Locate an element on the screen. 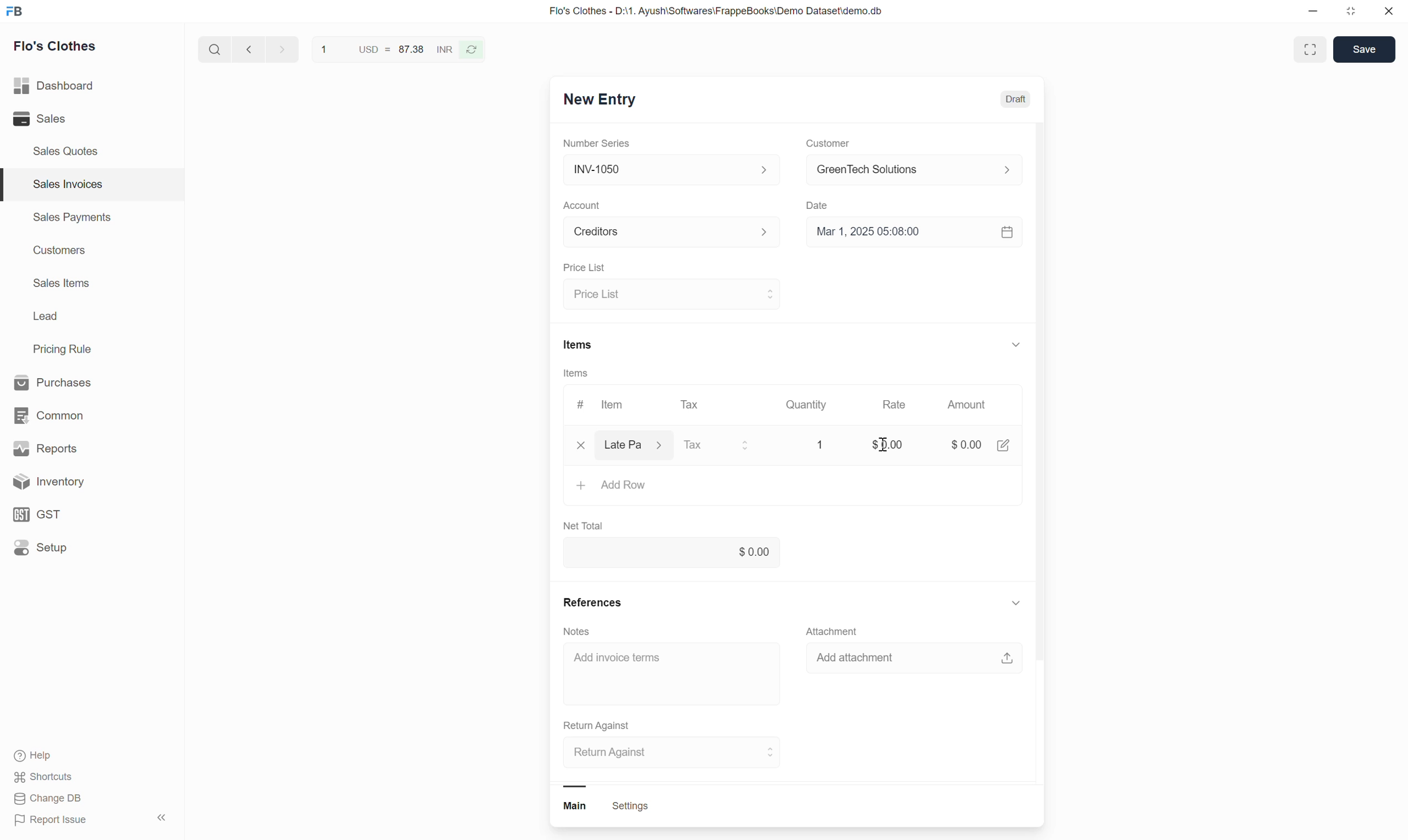  select return against  is located at coordinates (665, 753).